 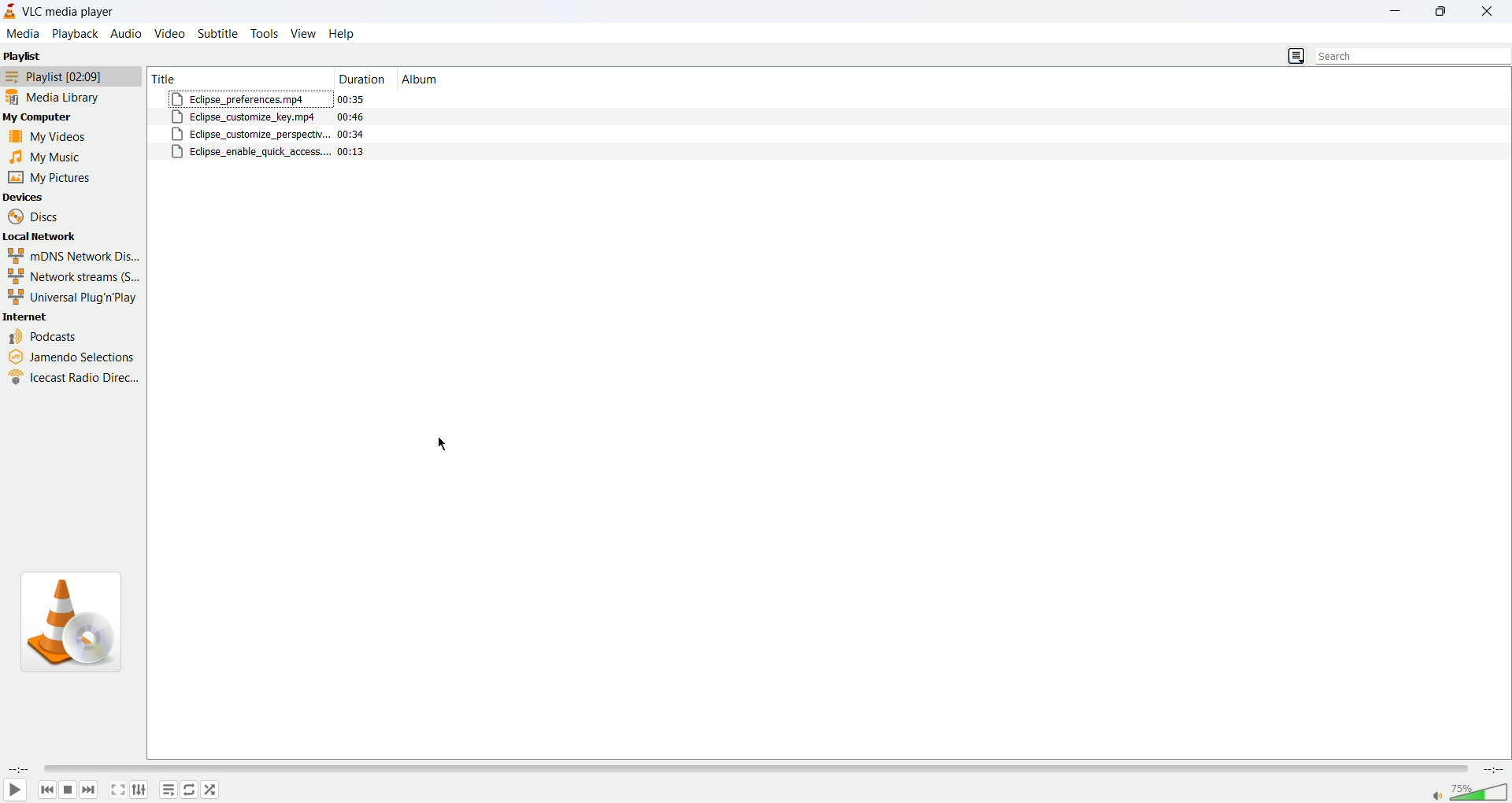 I want to click on my videos, so click(x=52, y=139).